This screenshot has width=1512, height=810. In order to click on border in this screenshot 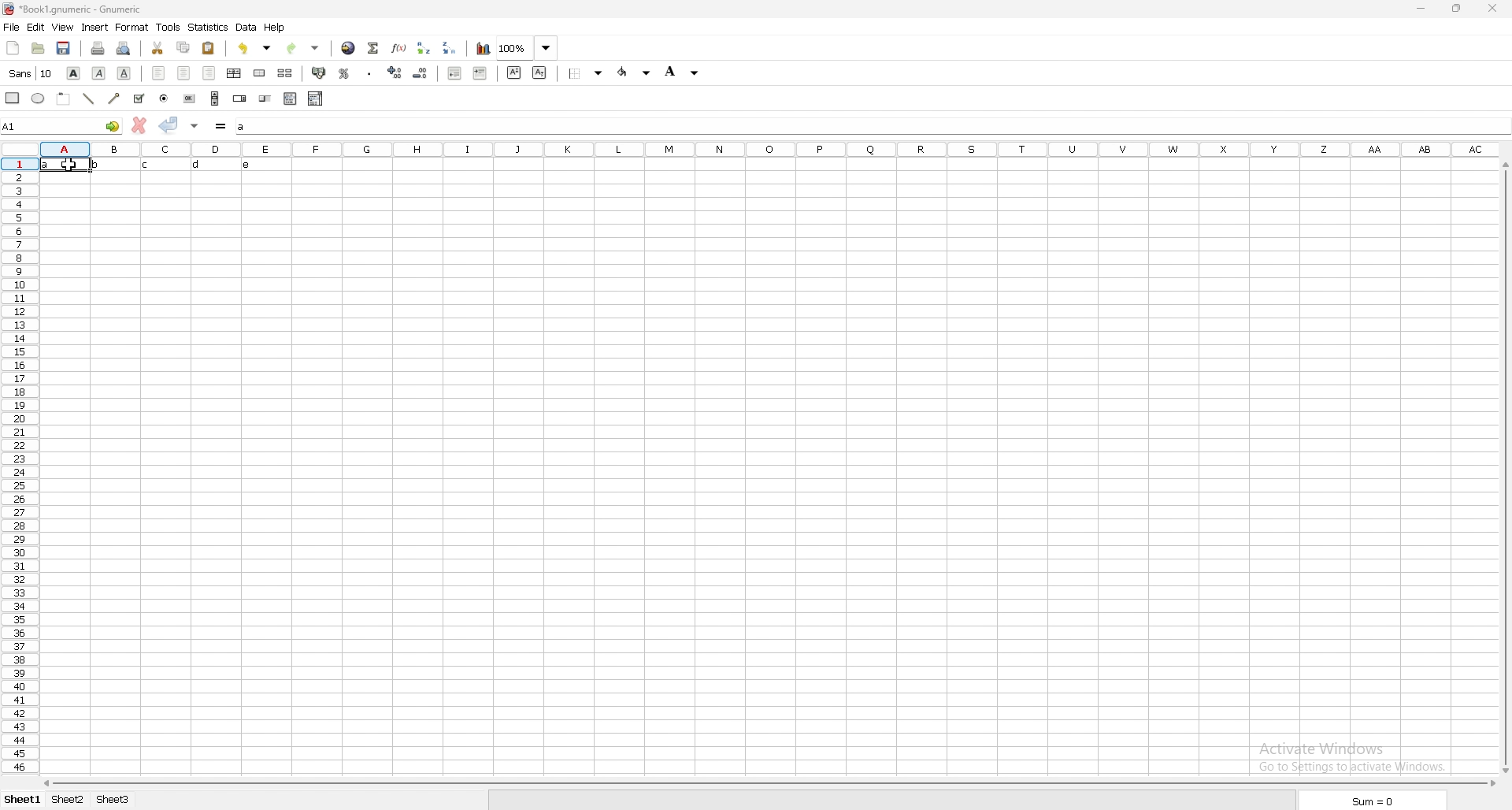, I will do `click(586, 73)`.